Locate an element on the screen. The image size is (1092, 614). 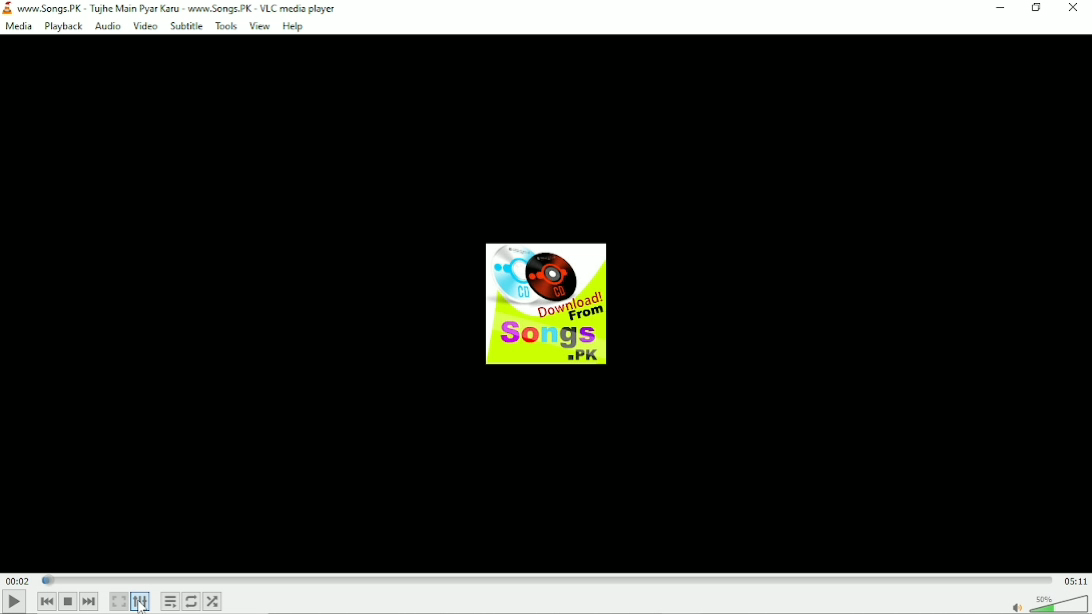
Audio track is located at coordinates (545, 304).